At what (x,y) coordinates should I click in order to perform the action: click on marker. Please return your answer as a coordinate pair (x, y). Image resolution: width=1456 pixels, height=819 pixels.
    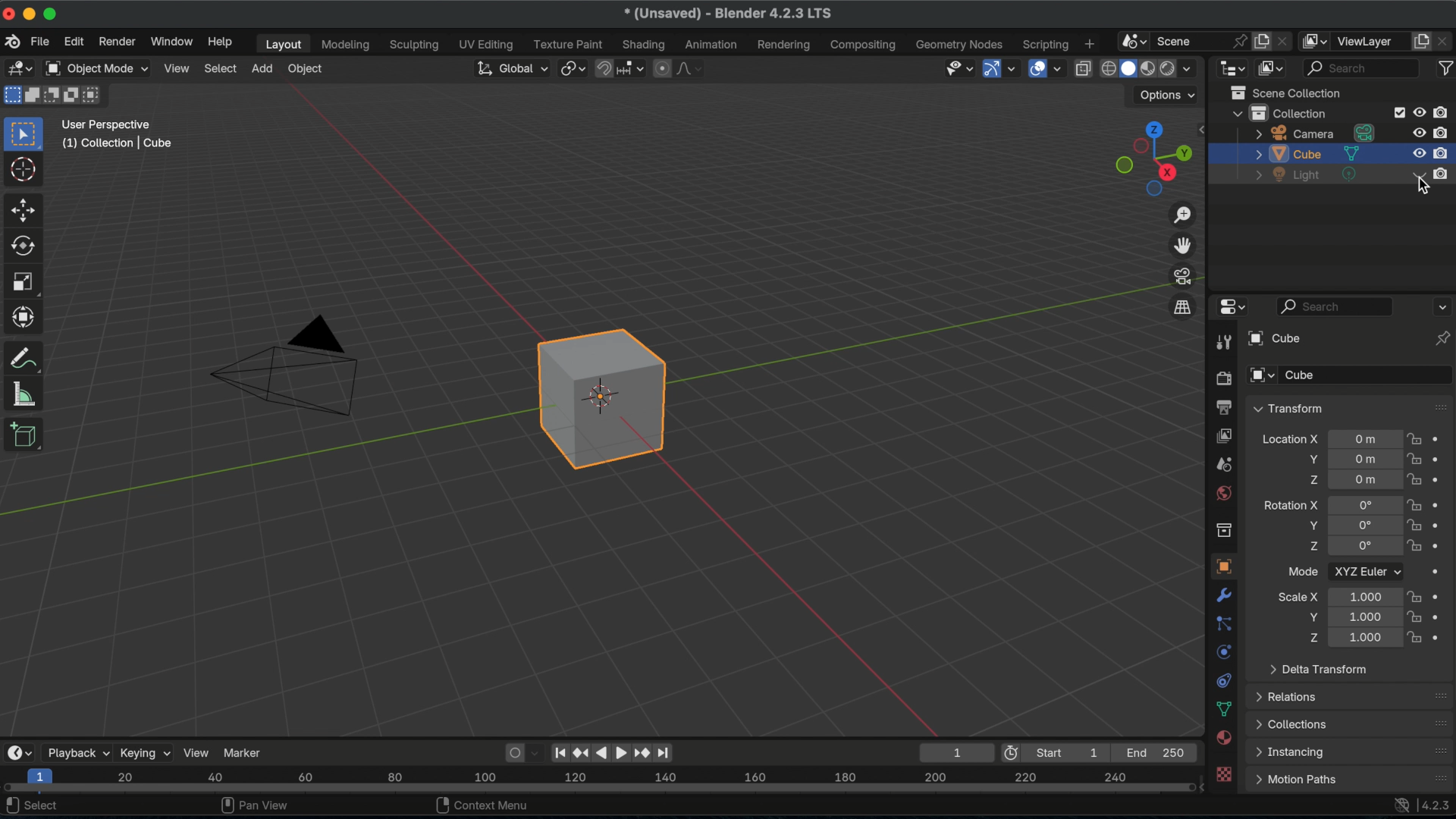
    Looking at the image, I should click on (244, 752).